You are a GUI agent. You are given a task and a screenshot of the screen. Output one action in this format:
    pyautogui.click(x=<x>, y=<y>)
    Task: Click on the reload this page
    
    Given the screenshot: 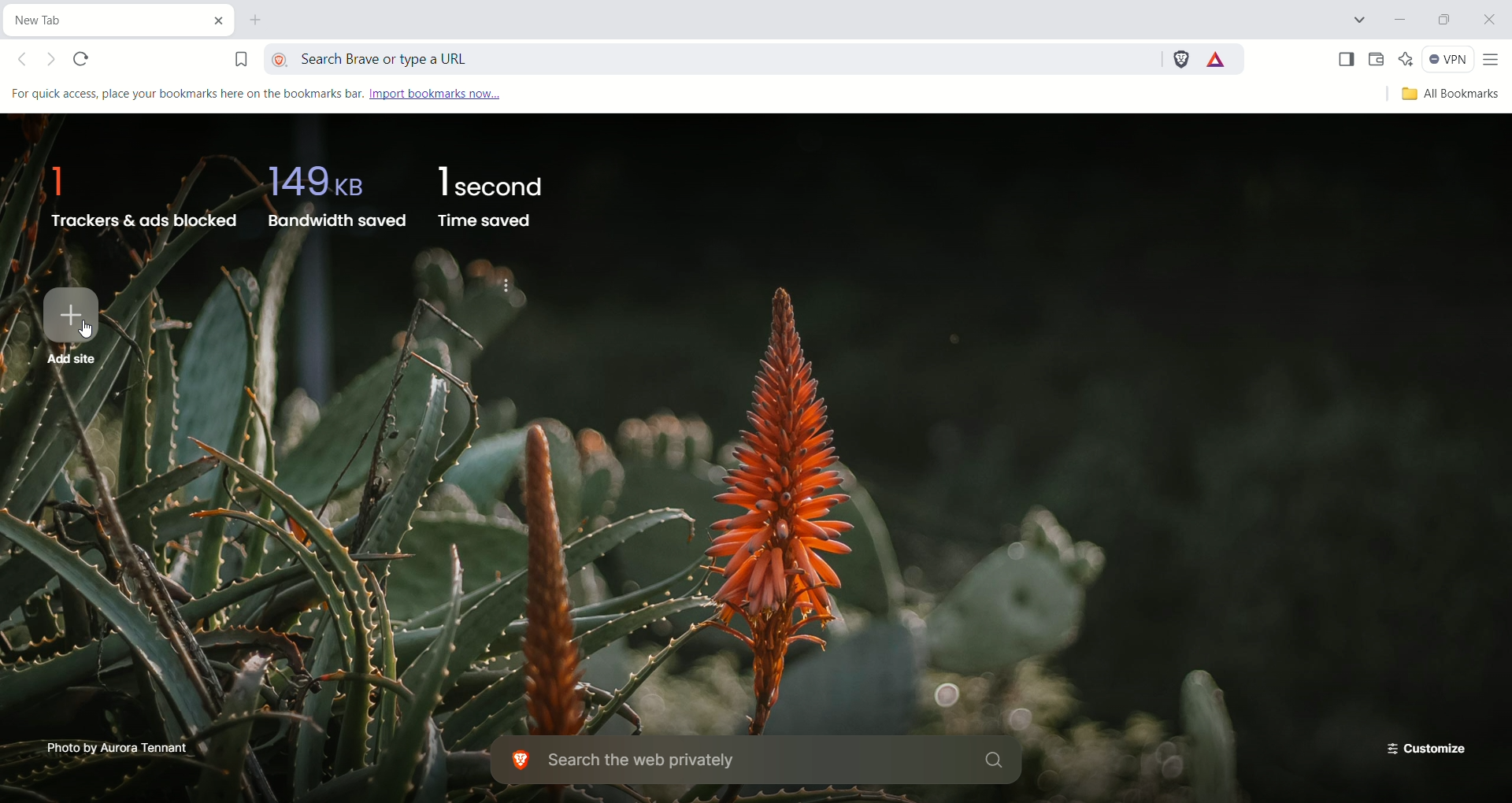 What is the action you would take?
    pyautogui.click(x=86, y=61)
    